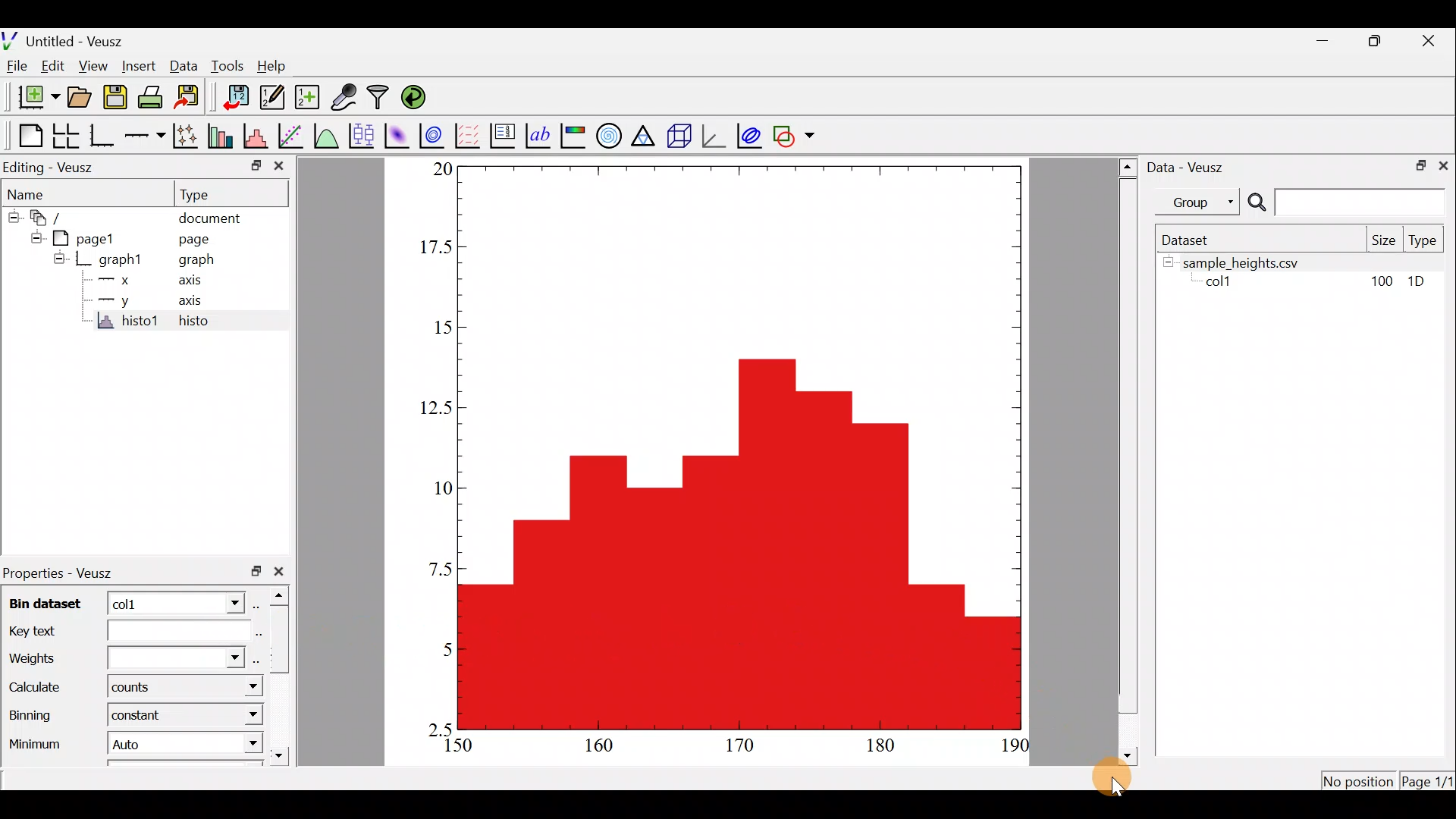 The width and height of the screenshot is (1456, 819). What do you see at coordinates (1324, 45) in the screenshot?
I see `minimize` at bounding box center [1324, 45].